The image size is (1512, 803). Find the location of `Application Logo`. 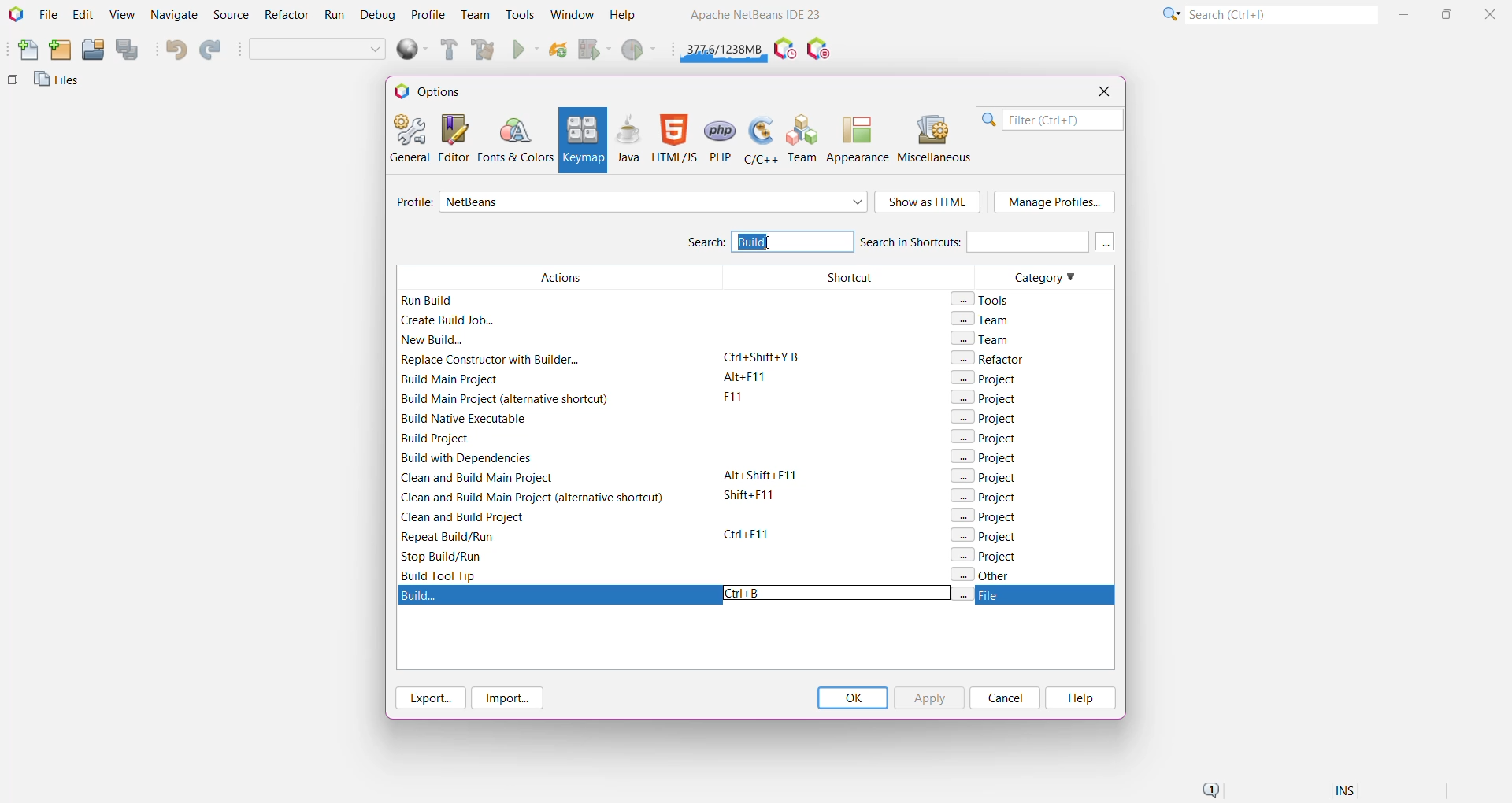

Application Logo is located at coordinates (14, 15).